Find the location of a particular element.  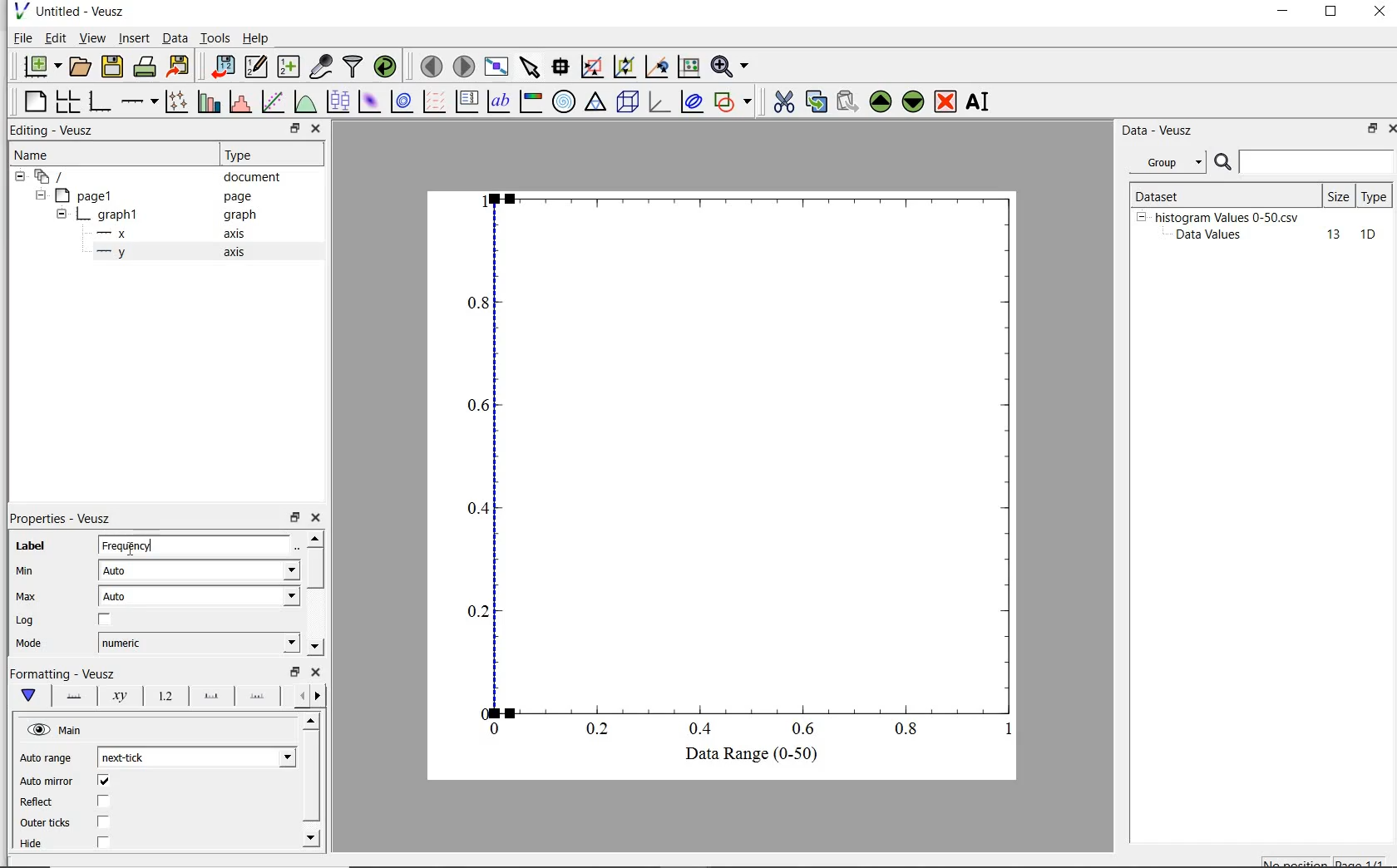

10 is located at coordinates (1368, 235).